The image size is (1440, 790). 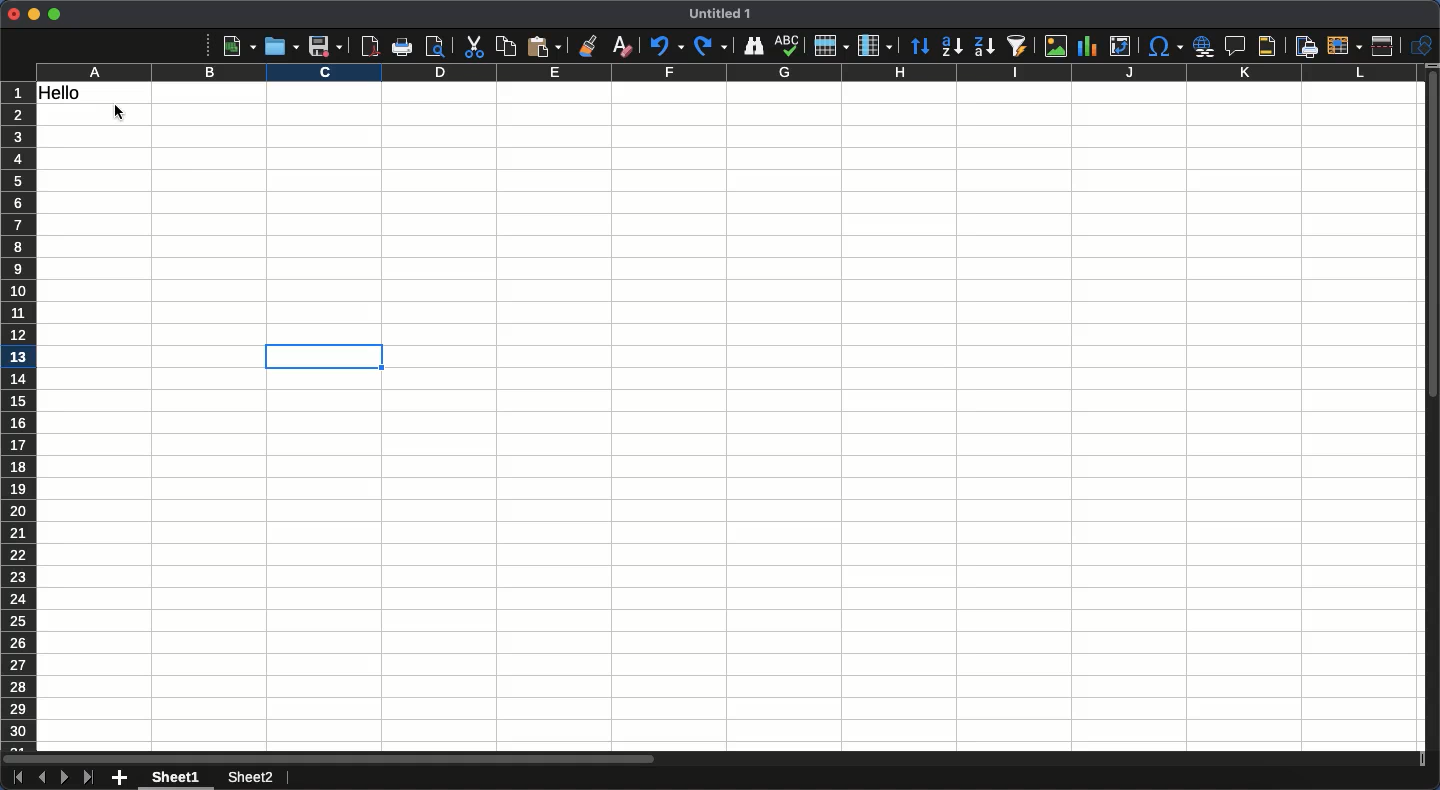 I want to click on Previous sheet, so click(x=41, y=777).